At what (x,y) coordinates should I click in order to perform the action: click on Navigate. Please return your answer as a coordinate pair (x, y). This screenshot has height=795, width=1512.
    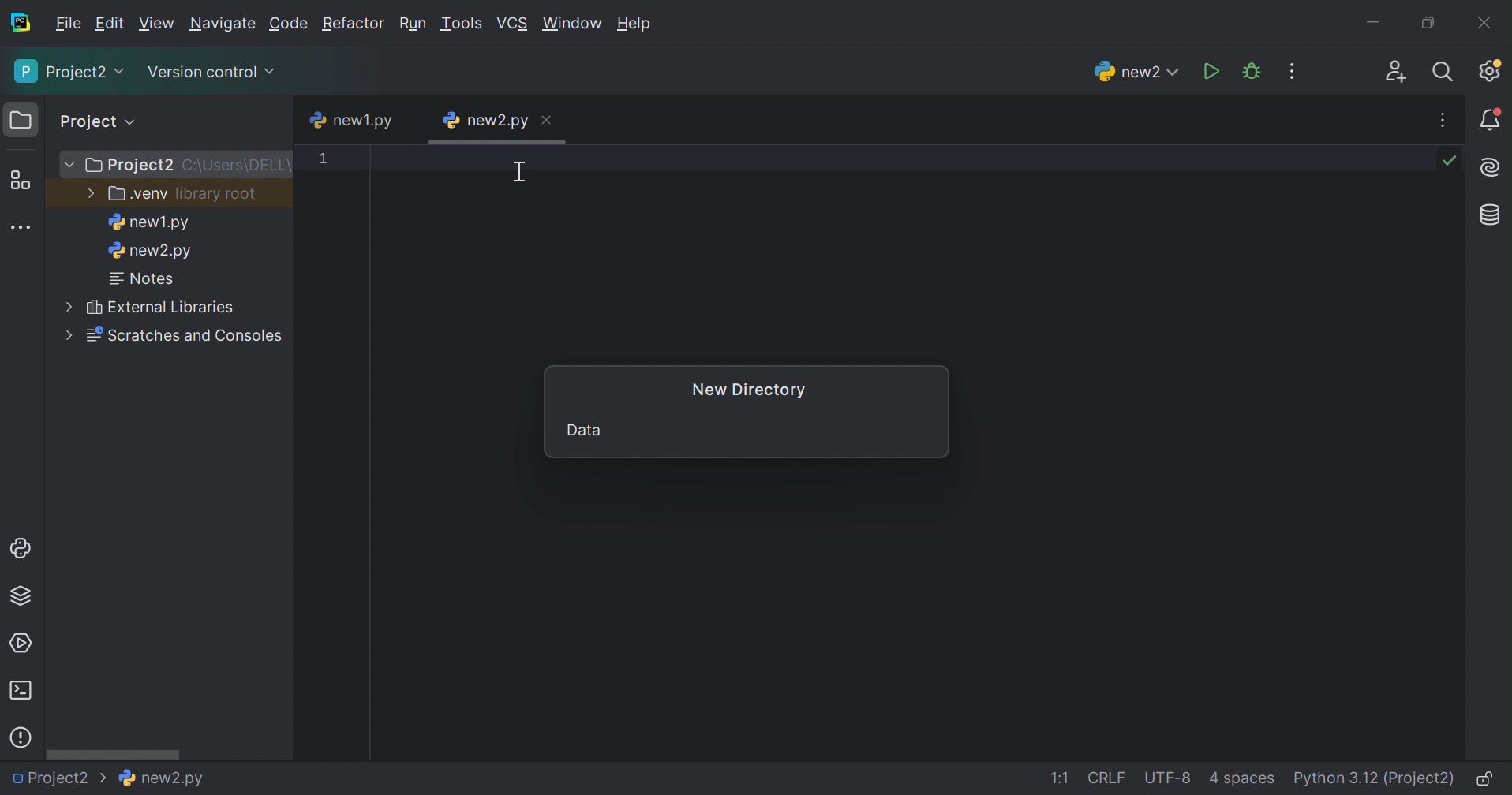
    Looking at the image, I should click on (225, 24).